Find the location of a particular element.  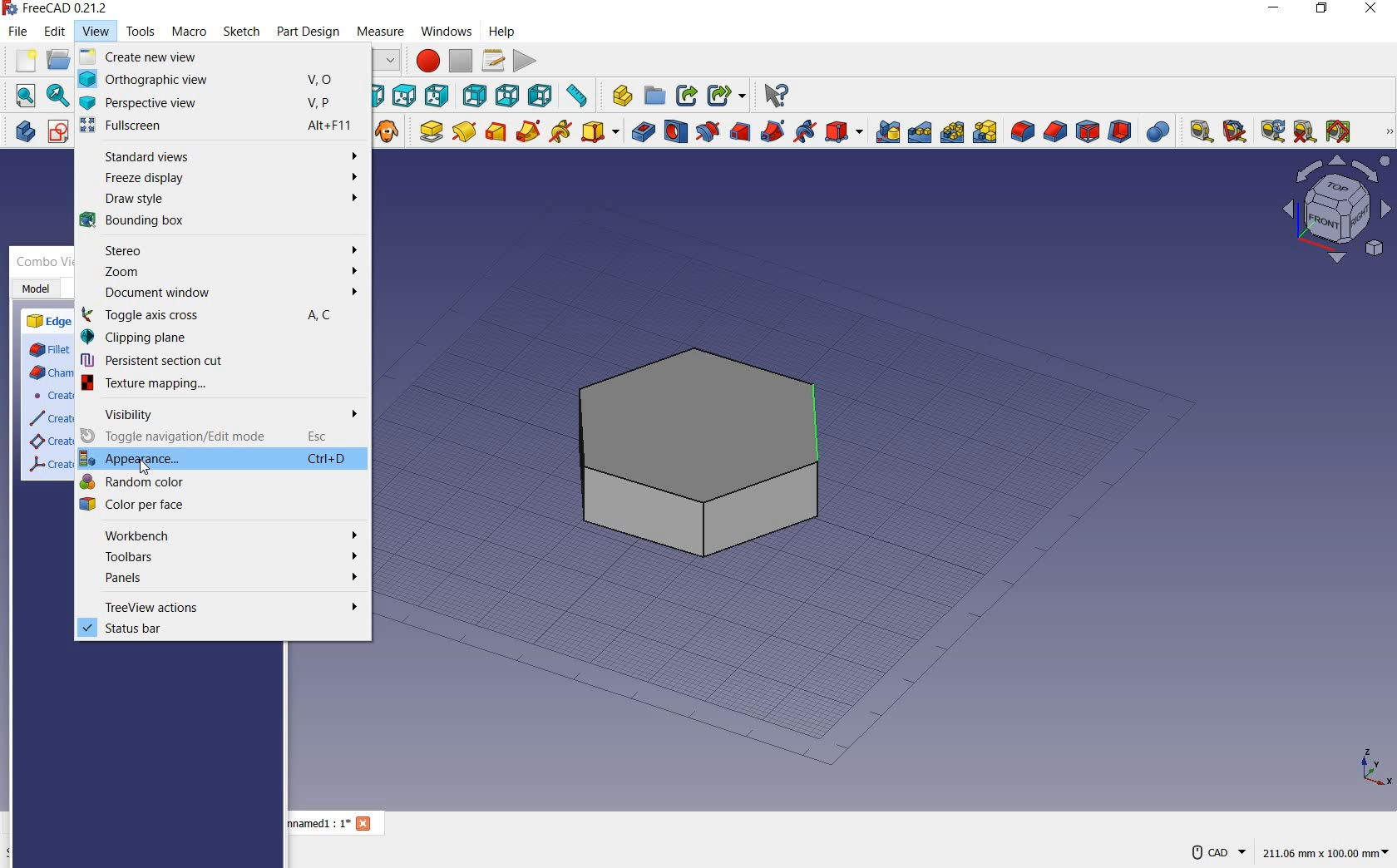

Toggle all is located at coordinates (1341, 133).